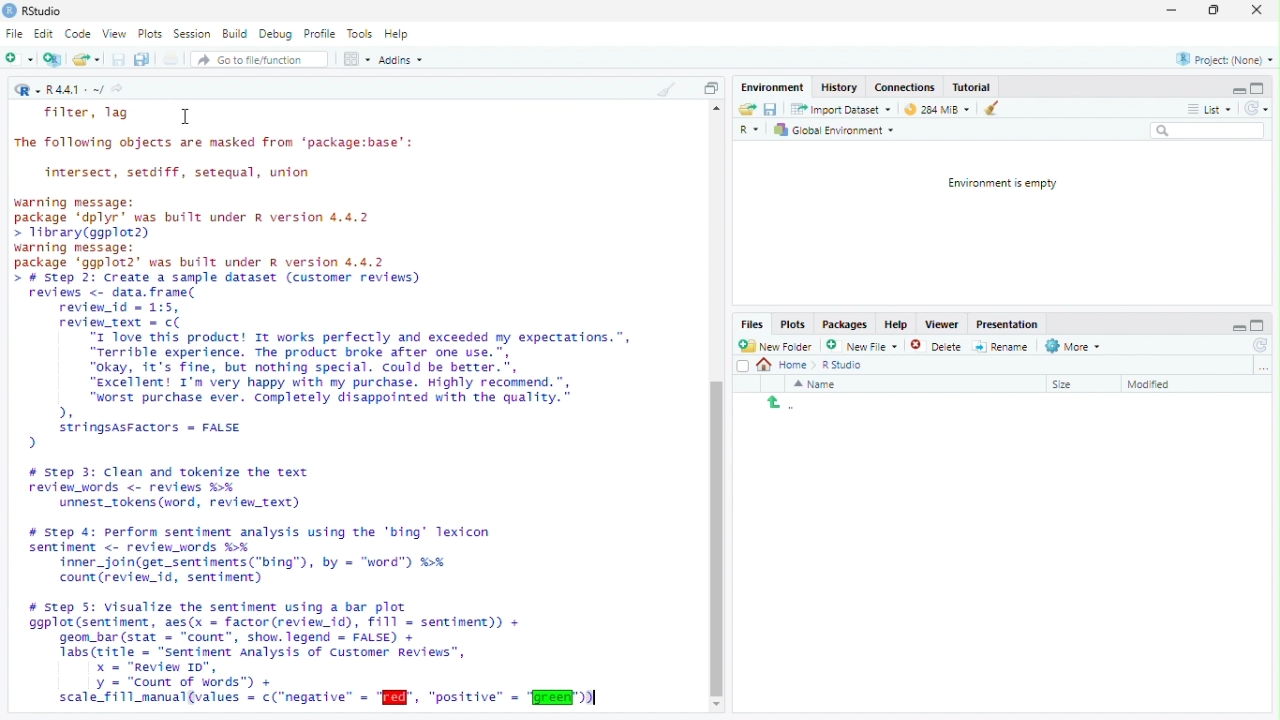 Image resolution: width=1280 pixels, height=720 pixels. I want to click on Save all tabs, so click(141, 58).